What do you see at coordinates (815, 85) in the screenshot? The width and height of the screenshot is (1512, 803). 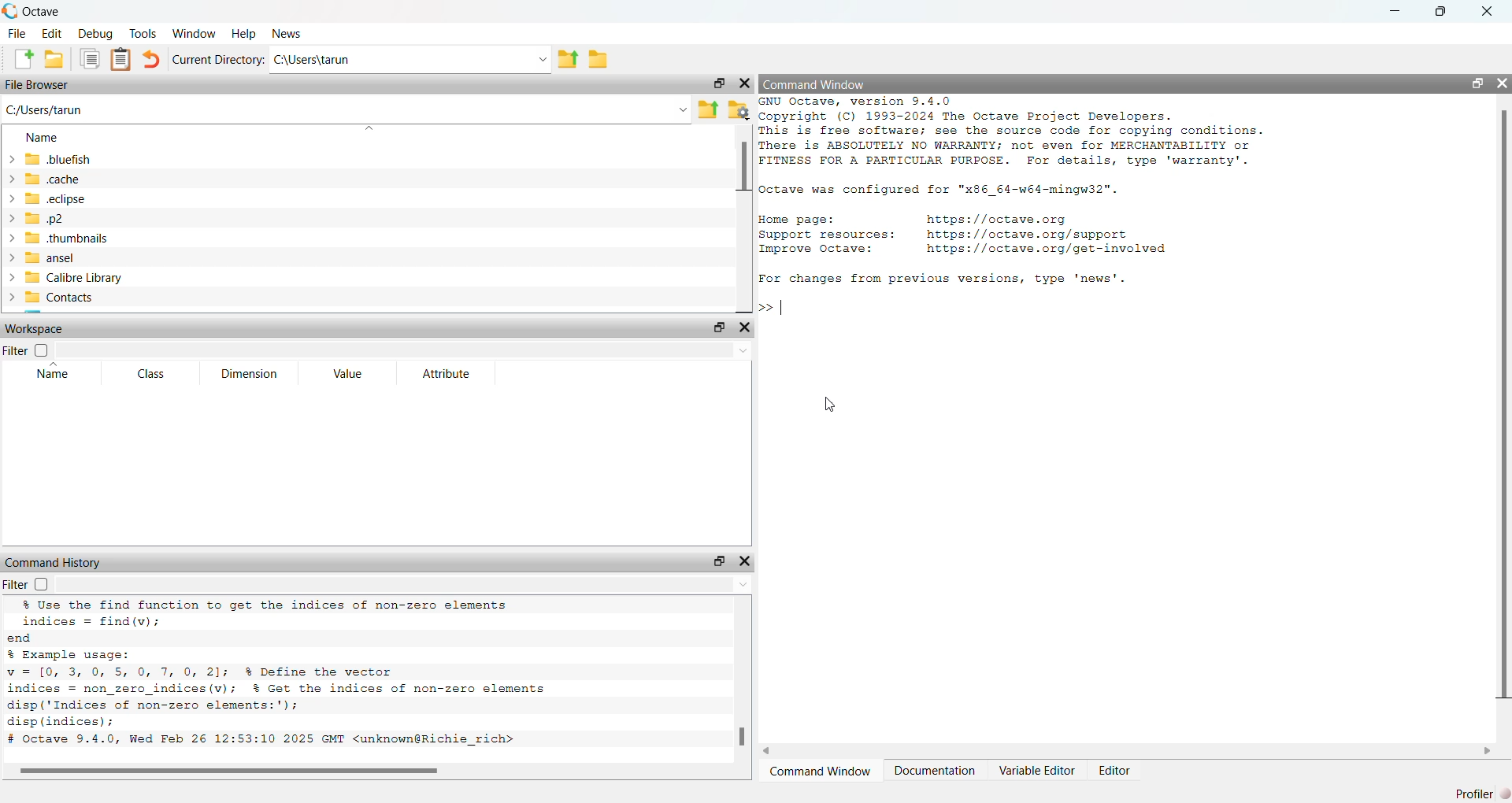 I see ` Command Window` at bounding box center [815, 85].